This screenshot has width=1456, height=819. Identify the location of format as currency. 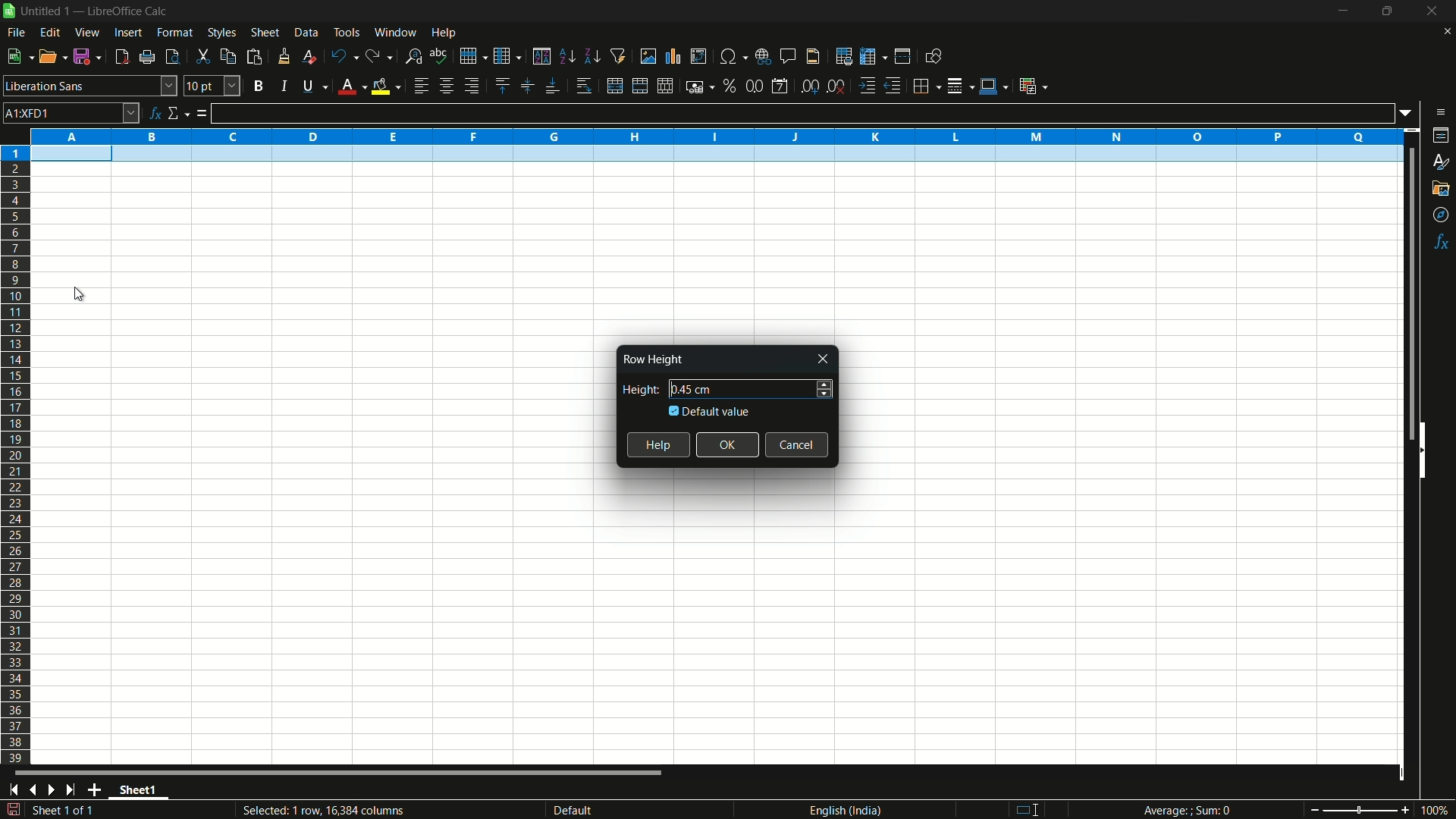
(700, 86).